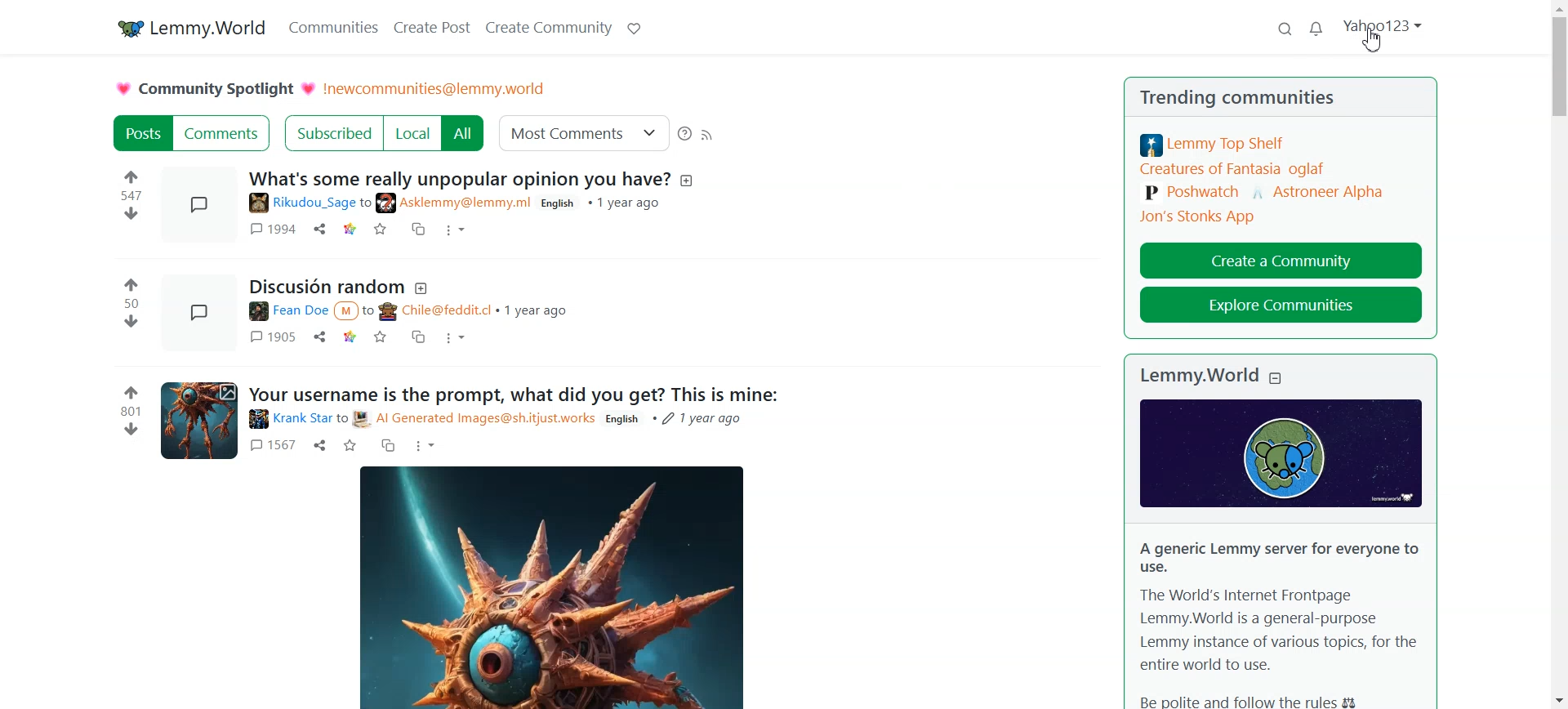 Image resolution: width=1568 pixels, height=709 pixels. I want to click on krank star, so click(288, 419).